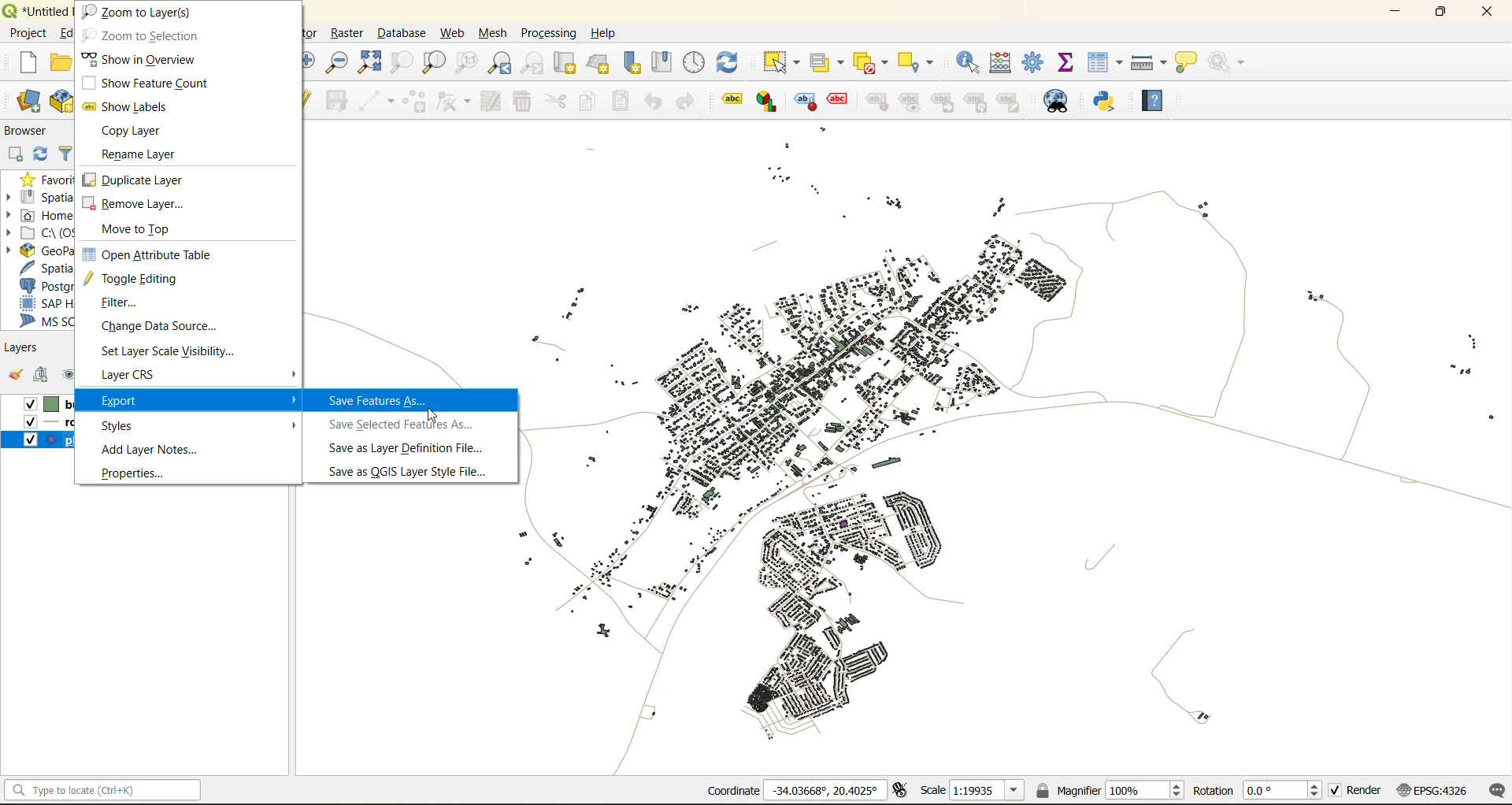 The width and height of the screenshot is (1512, 805). I want to click on attributes table, so click(1109, 63).